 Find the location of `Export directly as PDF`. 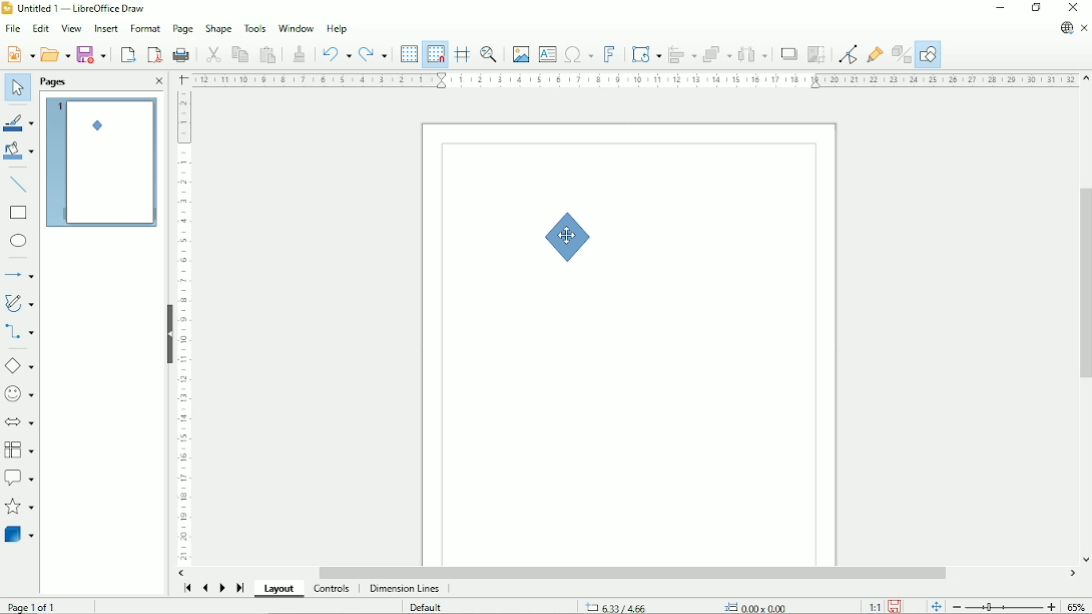

Export directly as PDF is located at coordinates (152, 54).